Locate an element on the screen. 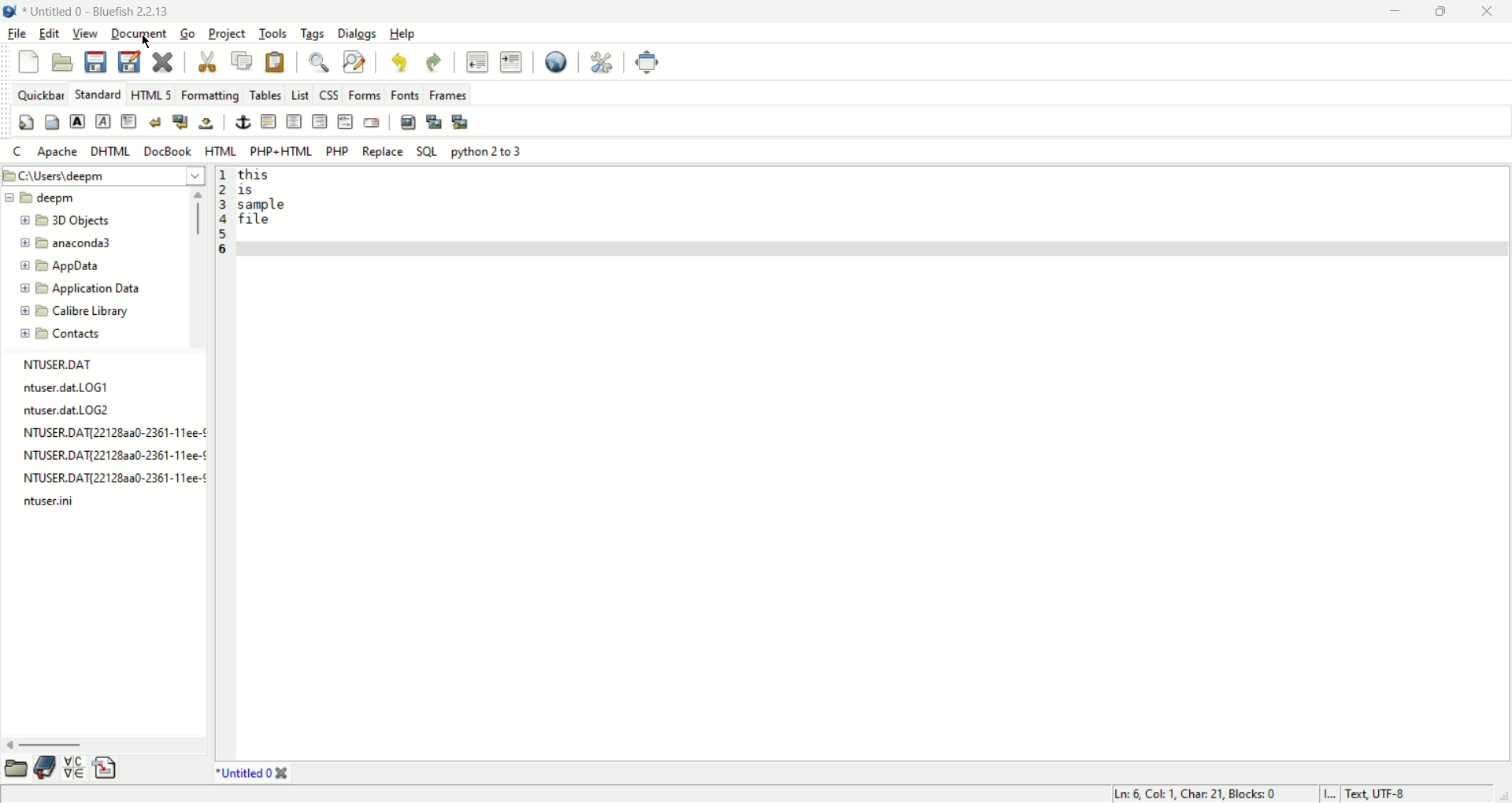 The image size is (1512, 803). apache is located at coordinates (56, 153).